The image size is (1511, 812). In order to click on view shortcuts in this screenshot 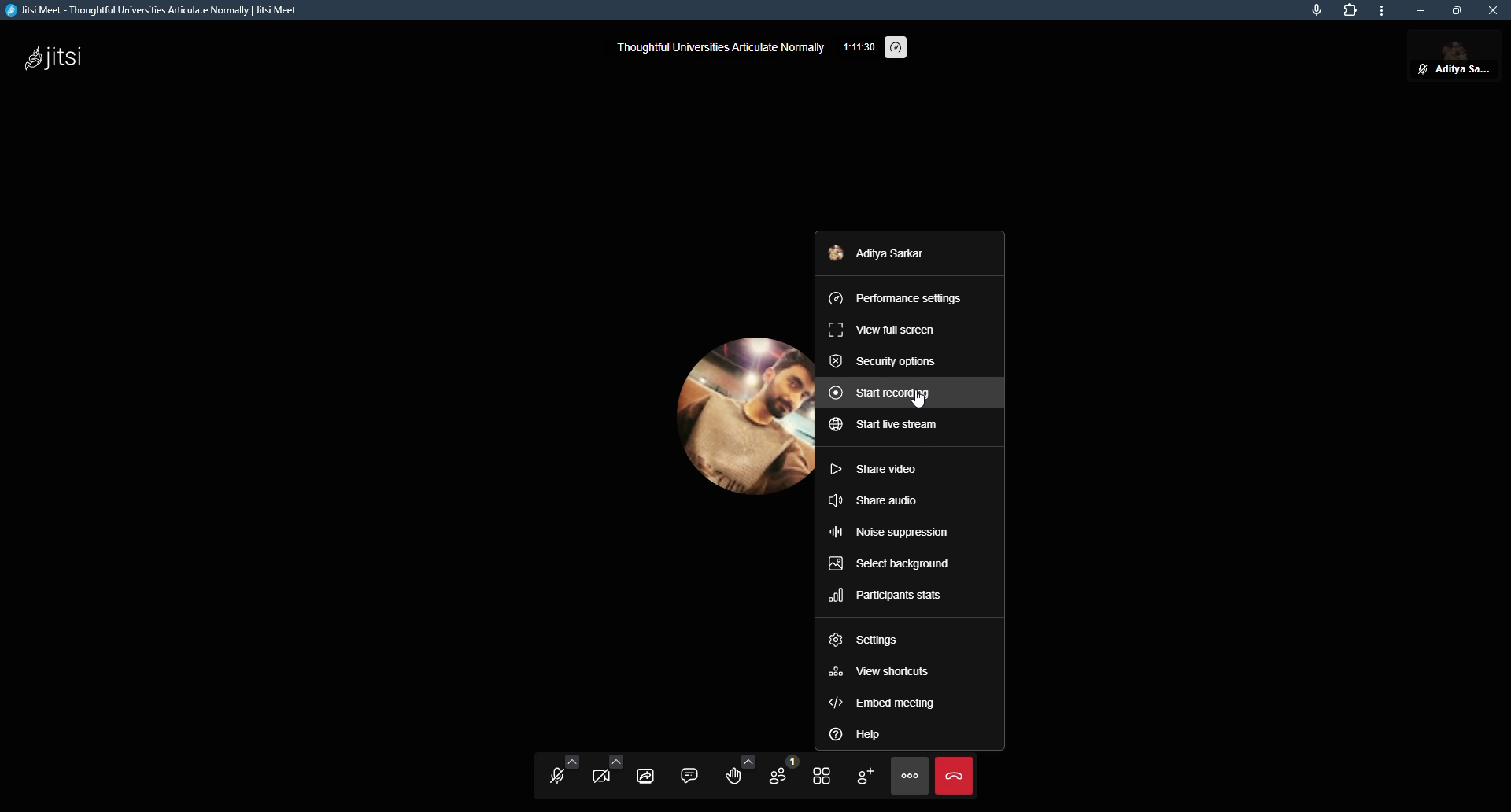, I will do `click(886, 672)`.